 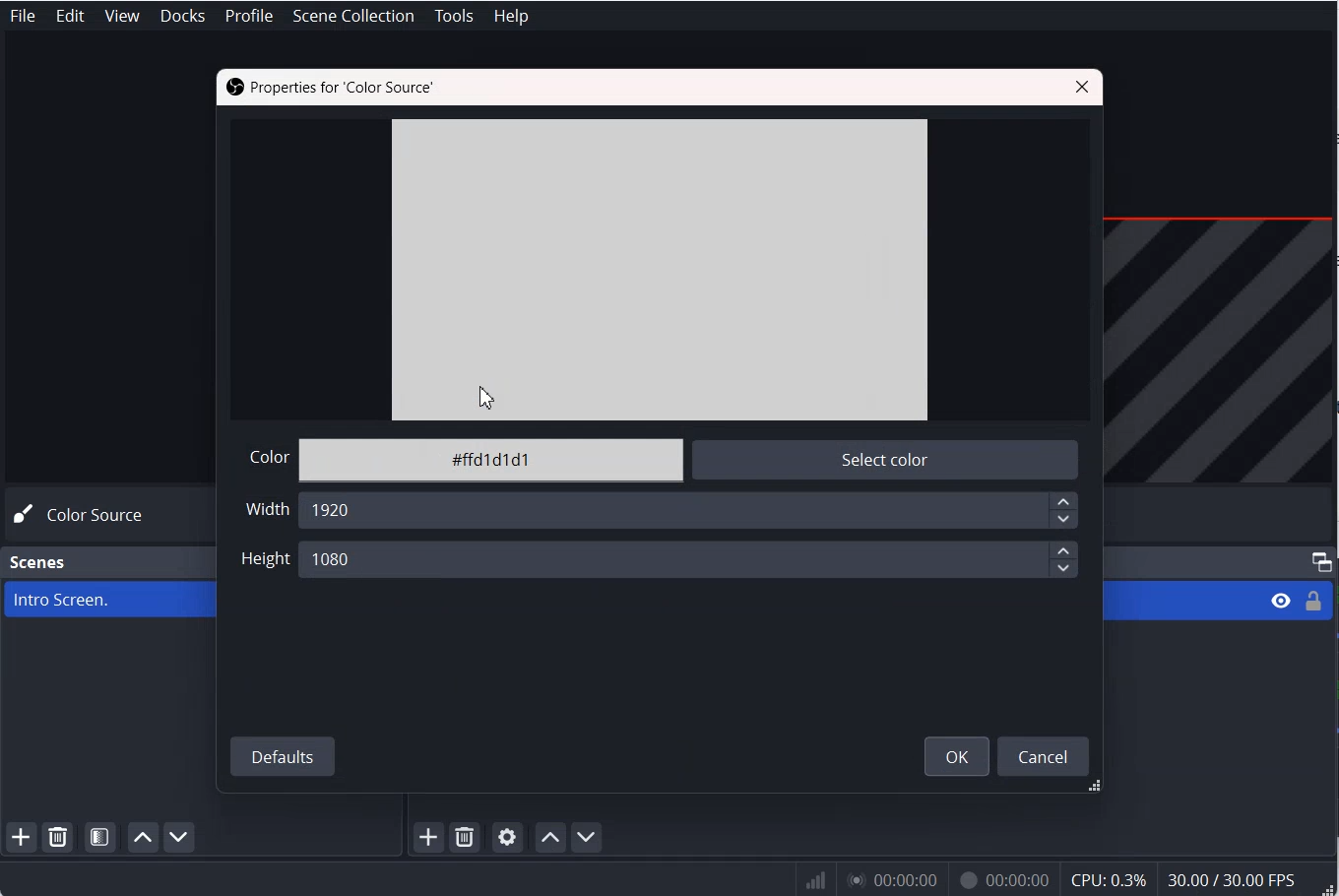 I want to click on Open Scene Filter, so click(x=101, y=837).